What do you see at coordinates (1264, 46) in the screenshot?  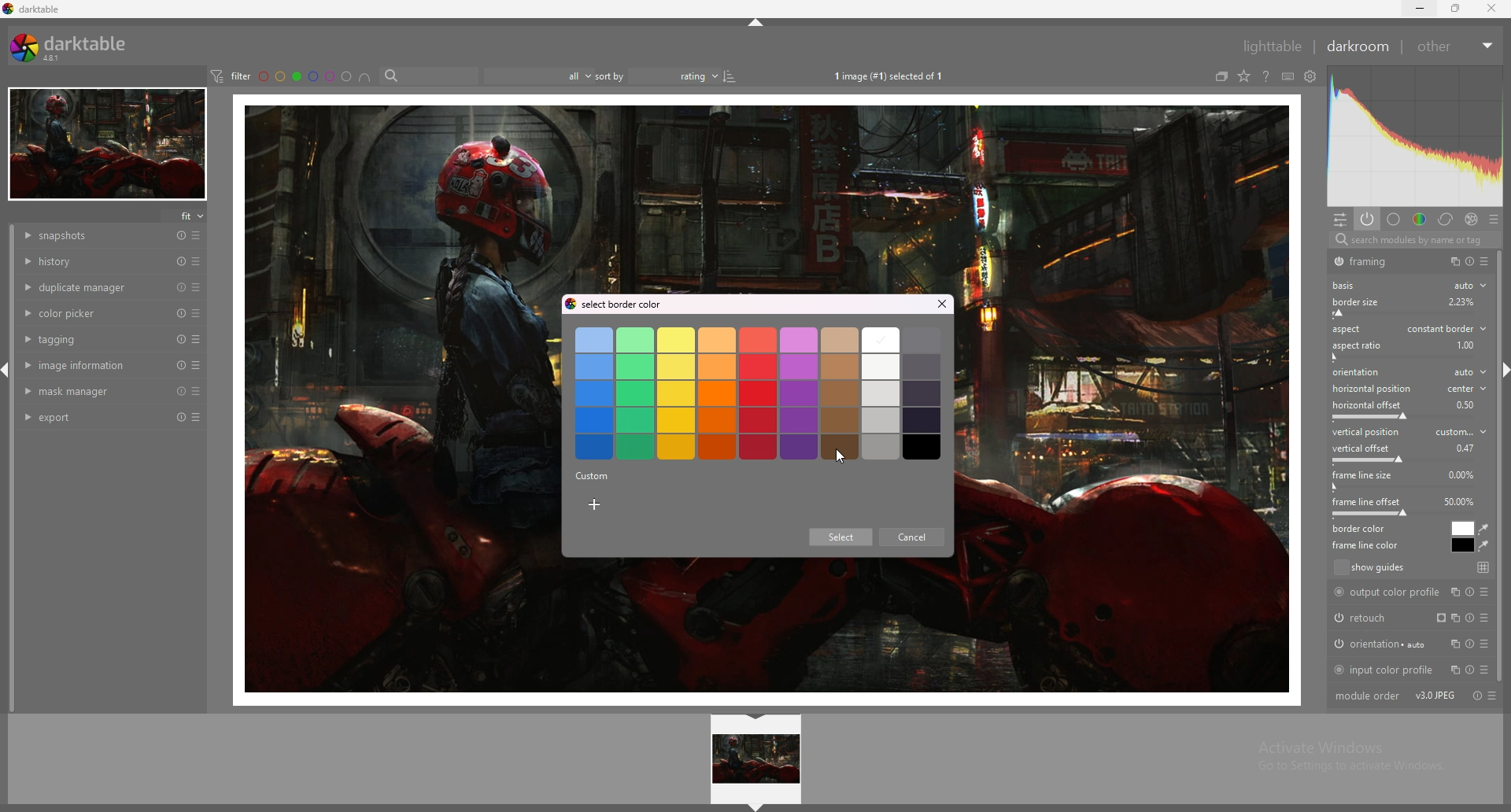 I see `lighttable` at bounding box center [1264, 46].